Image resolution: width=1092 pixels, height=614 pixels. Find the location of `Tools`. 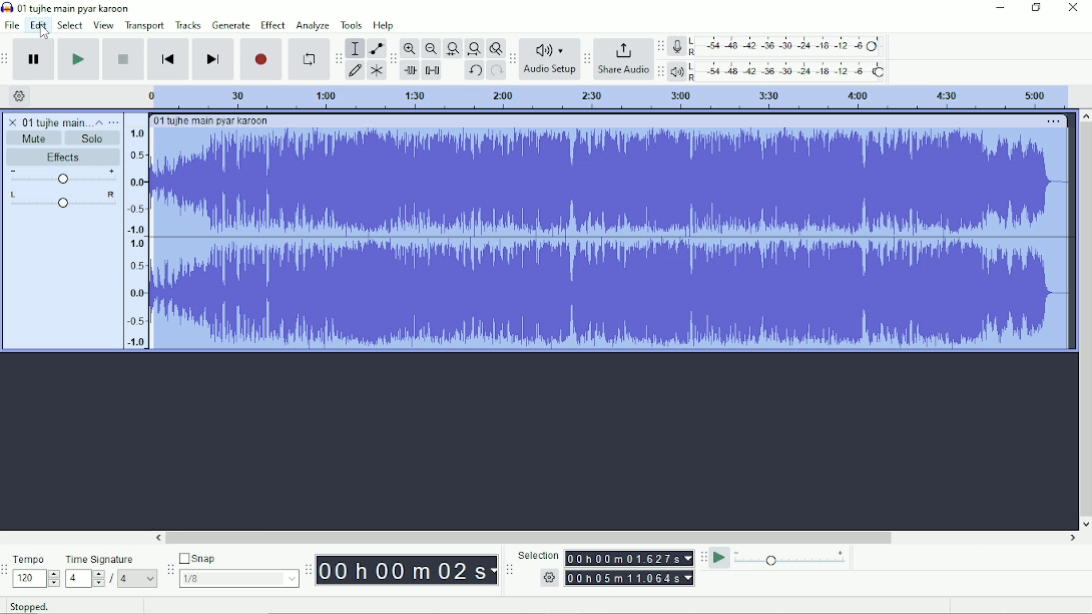

Tools is located at coordinates (351, 25).